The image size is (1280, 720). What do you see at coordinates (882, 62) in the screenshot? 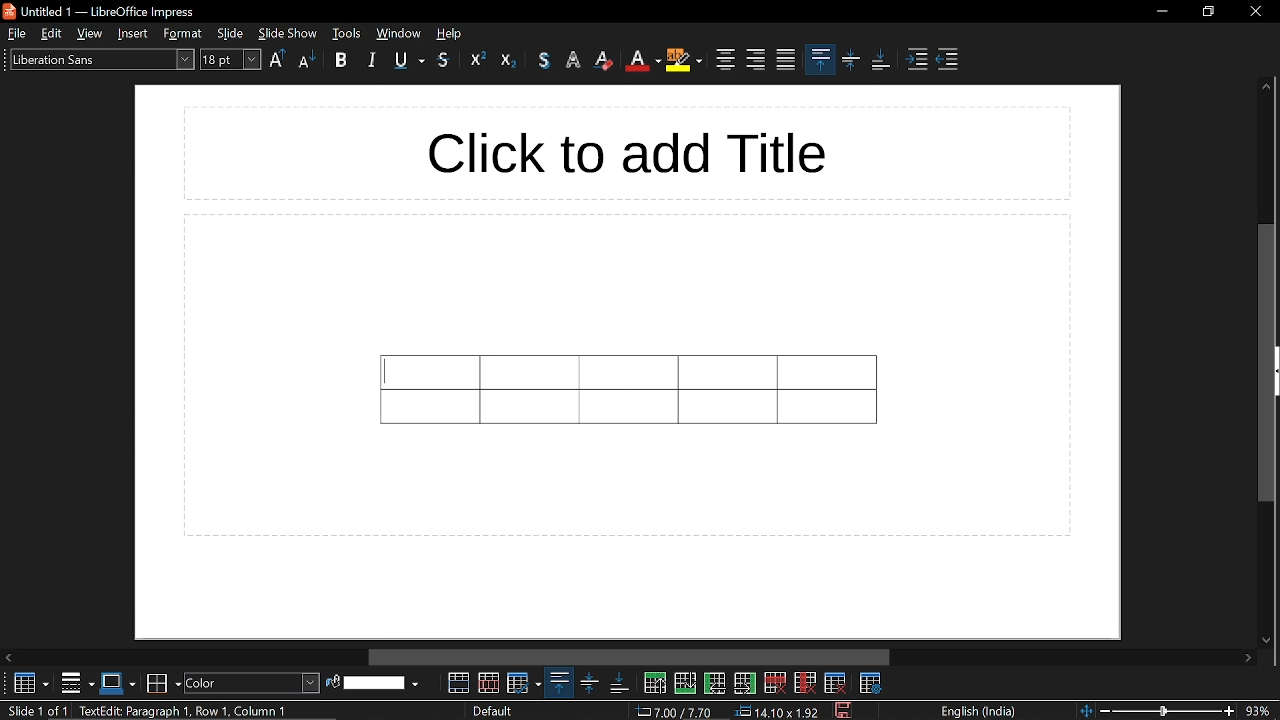
I see `align bottom` at bounding box center [882, 62].